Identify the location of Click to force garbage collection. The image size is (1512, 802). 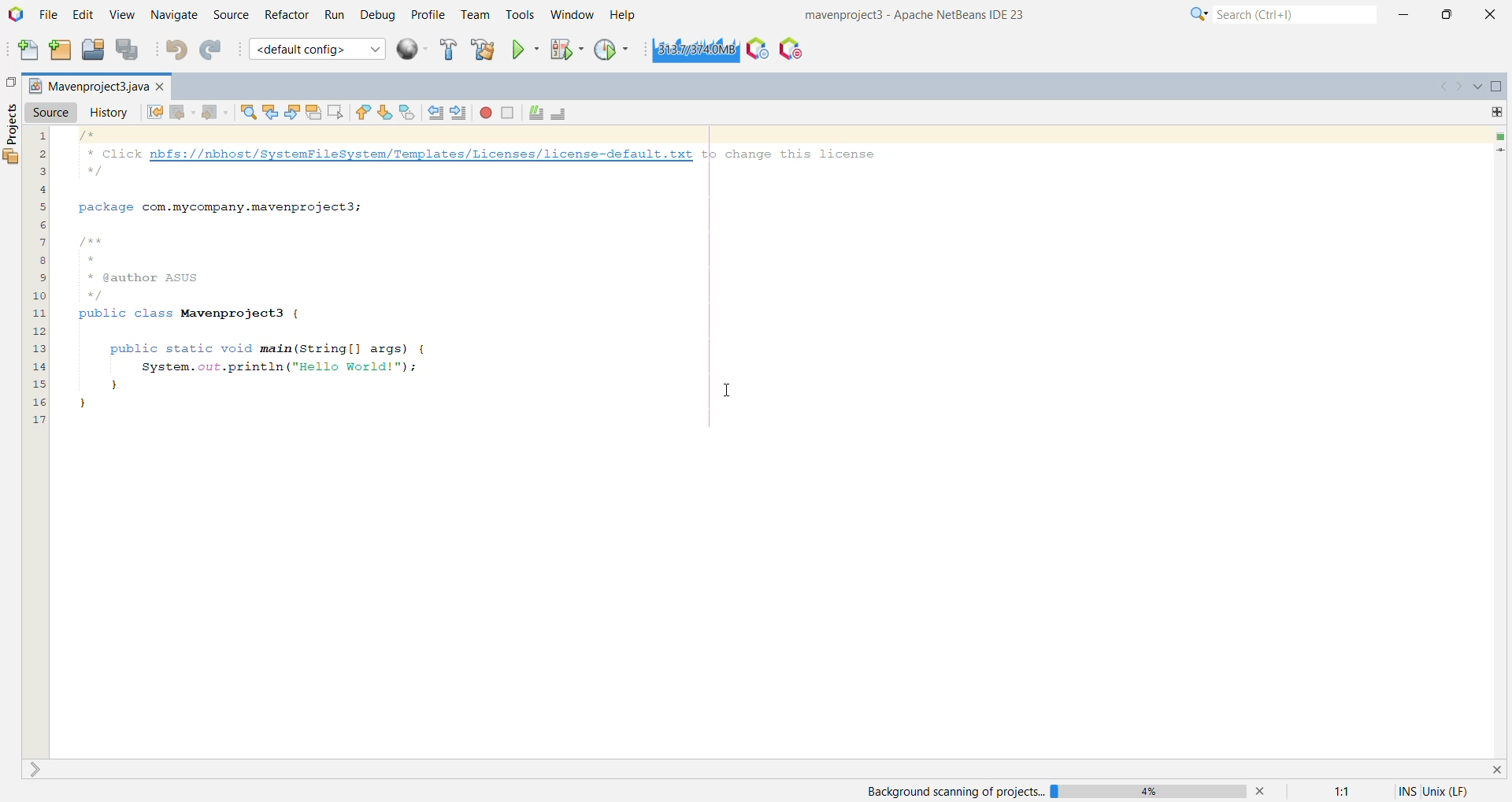
(692, 50).